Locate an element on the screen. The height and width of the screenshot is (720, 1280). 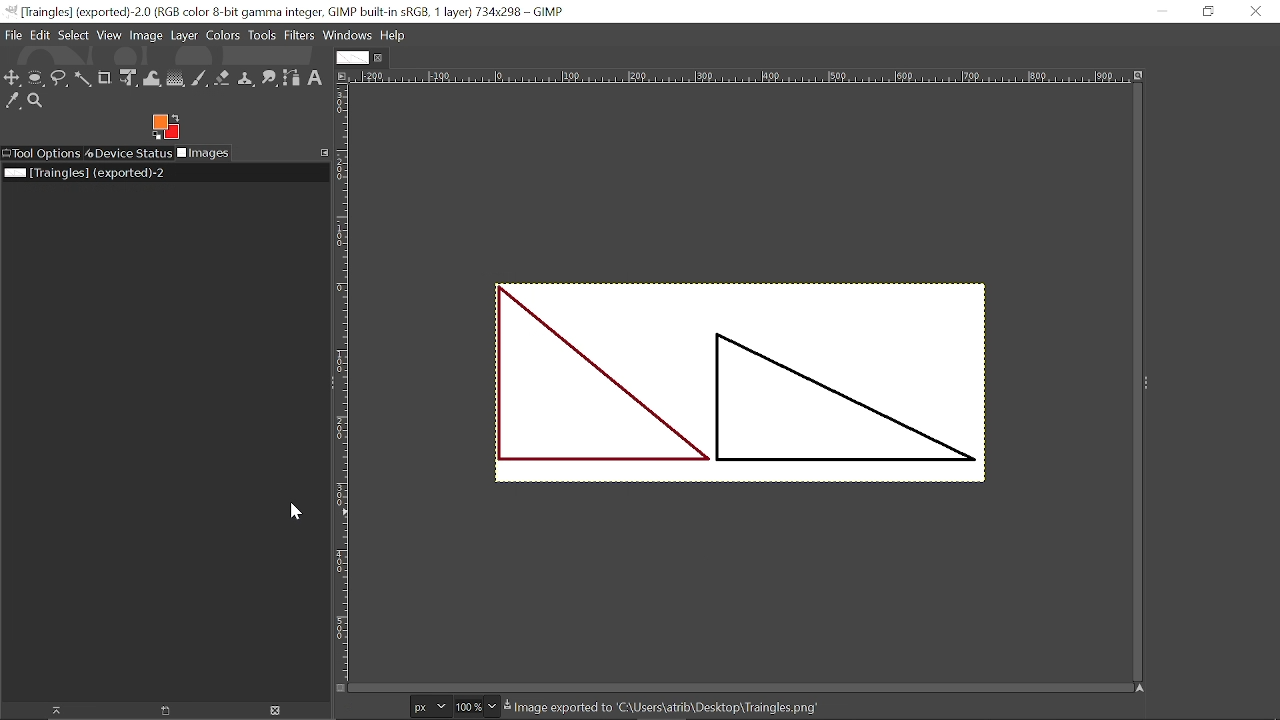
Current file is located at coordinates (106, 174).